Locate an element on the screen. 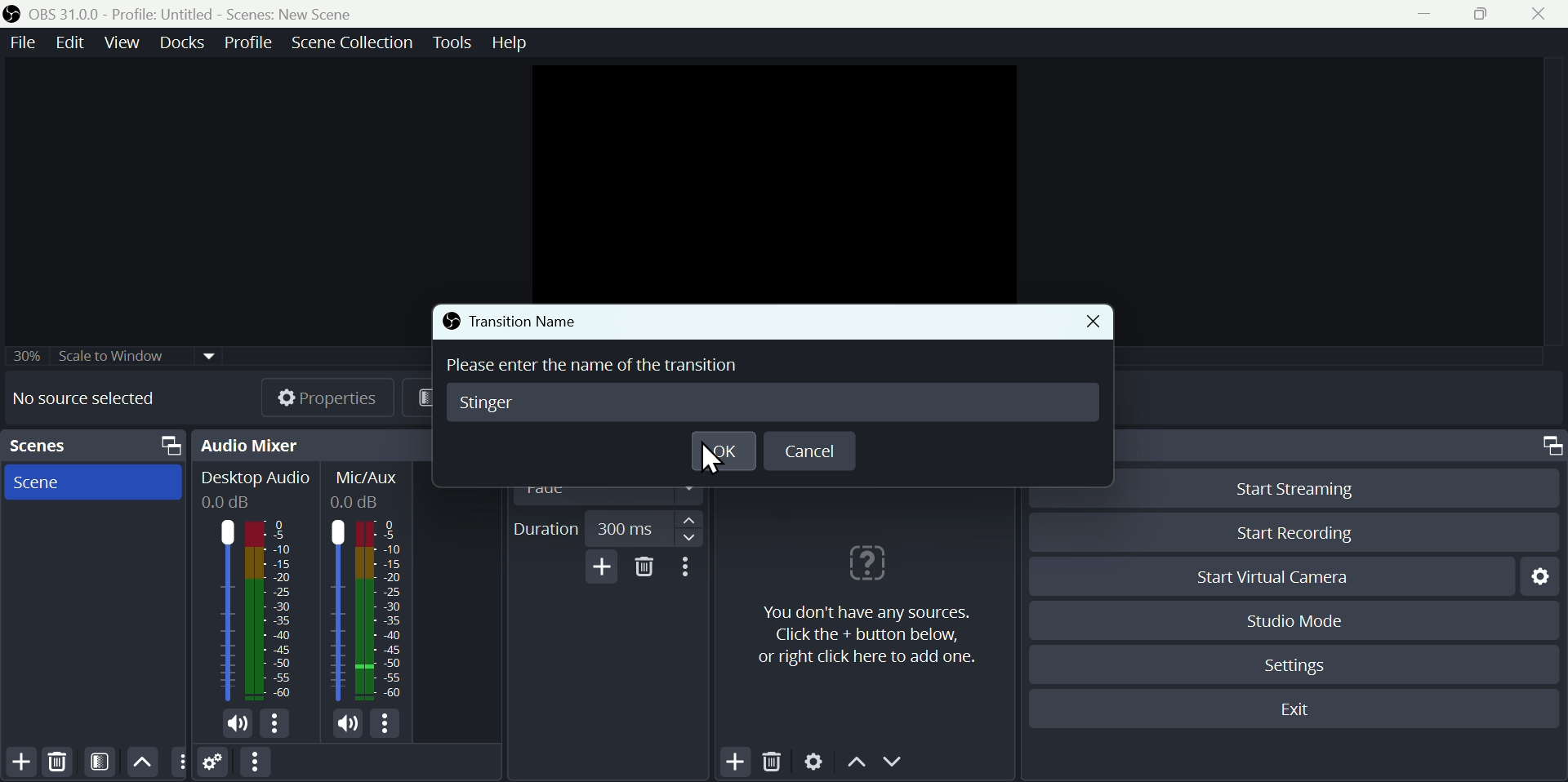 This screenshot has height=782, width=1568.  is located at coordinates (185, 42).